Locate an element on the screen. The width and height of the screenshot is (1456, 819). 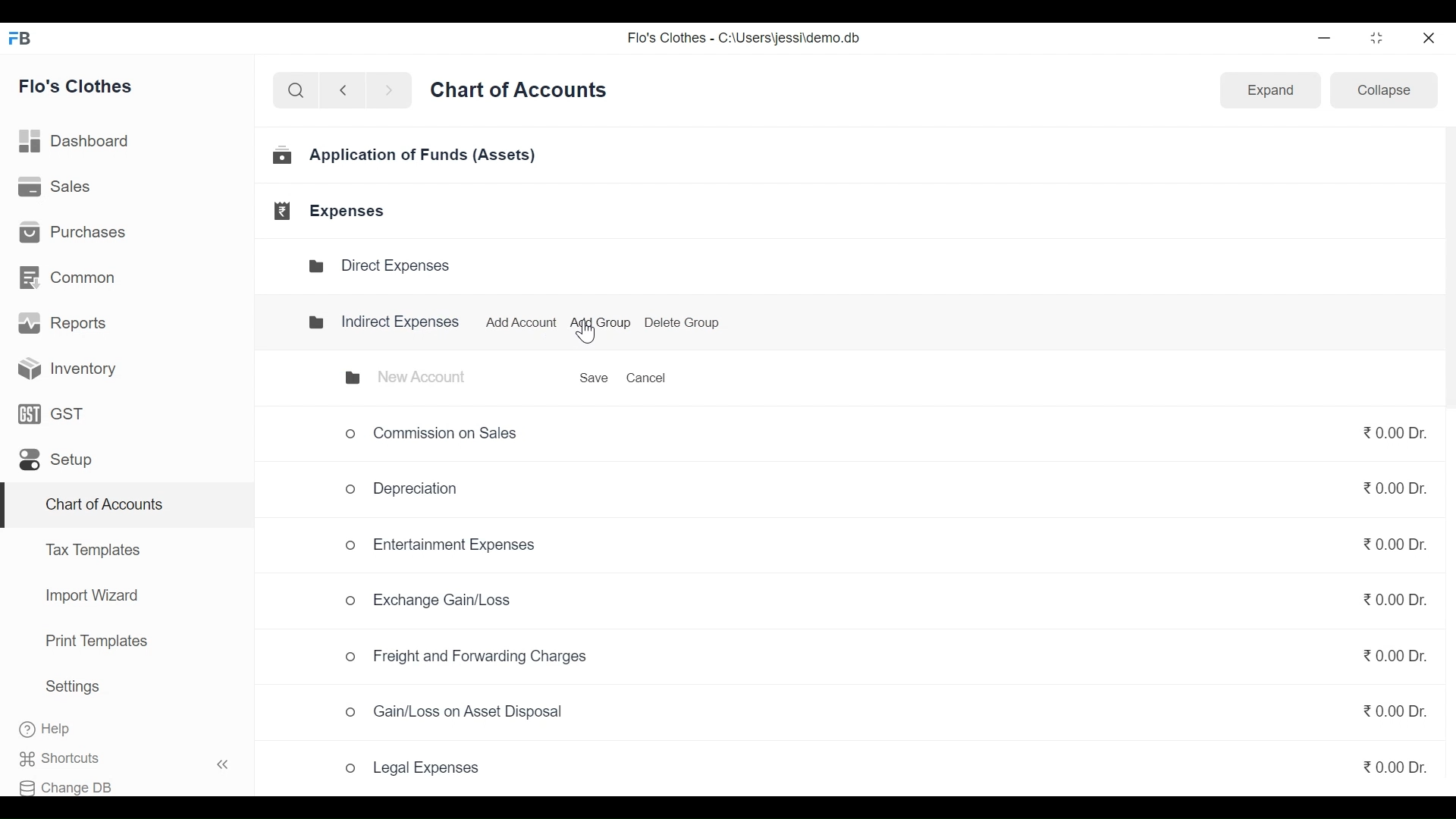
Cancel is located at coordinates (656, 380).